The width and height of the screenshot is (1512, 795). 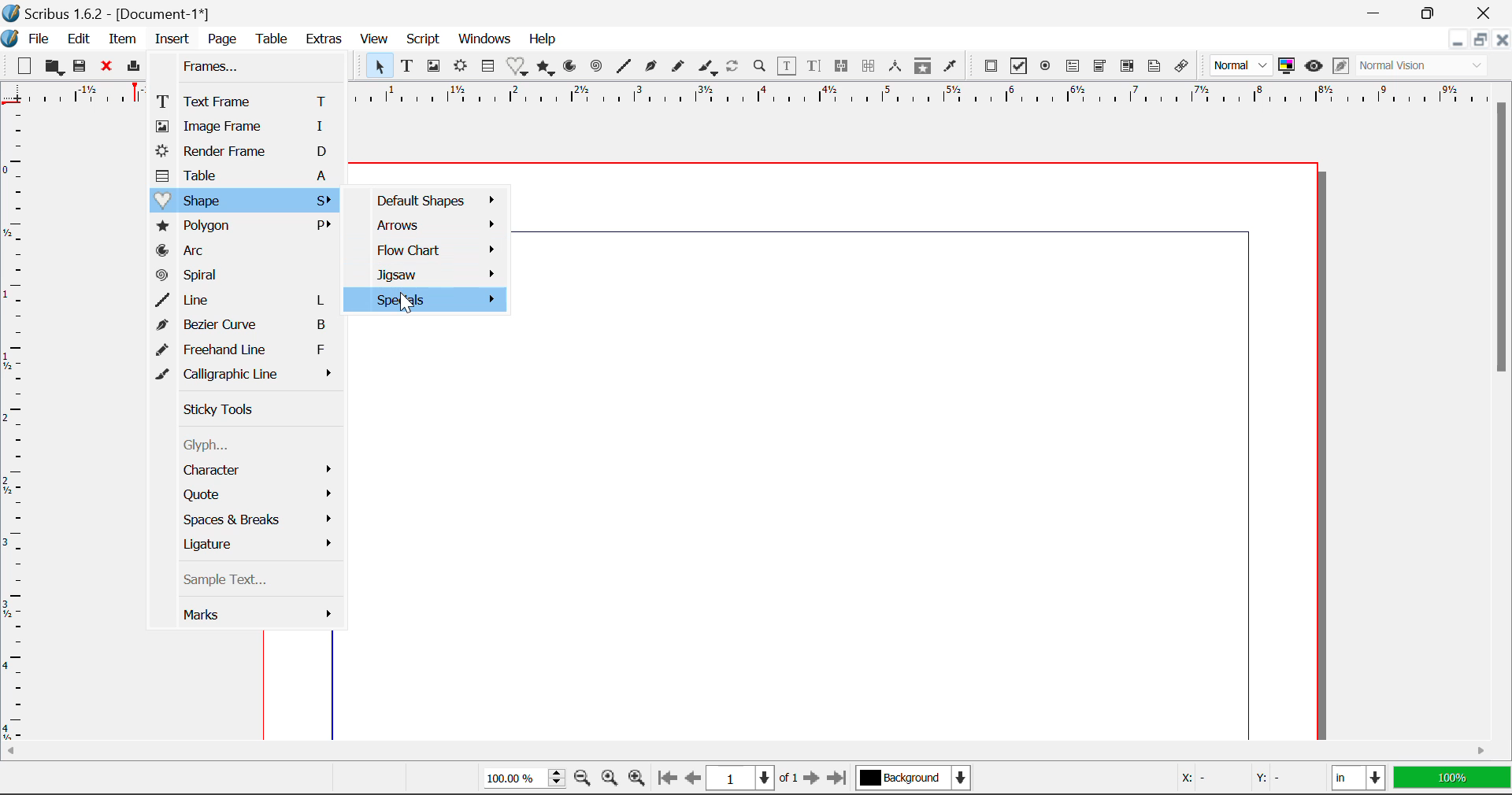 I want to click on Save, so click(x=84, y=68).